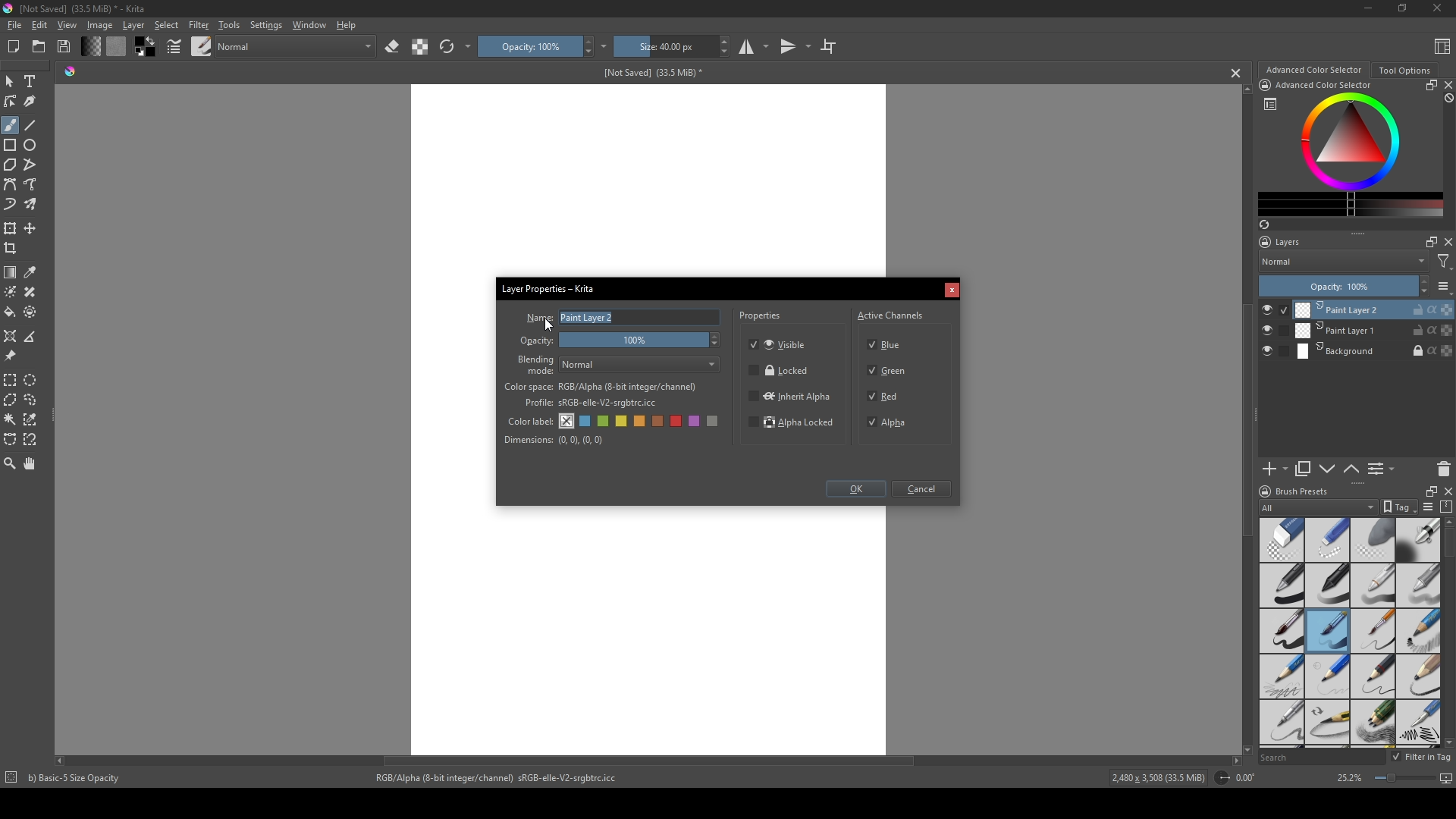 The height and width of the screenshot is (819, 1456). What do you see at coordinates (1282, 632) in the screenshot?
I see `thick brush` at bounding box center [1282, 632].